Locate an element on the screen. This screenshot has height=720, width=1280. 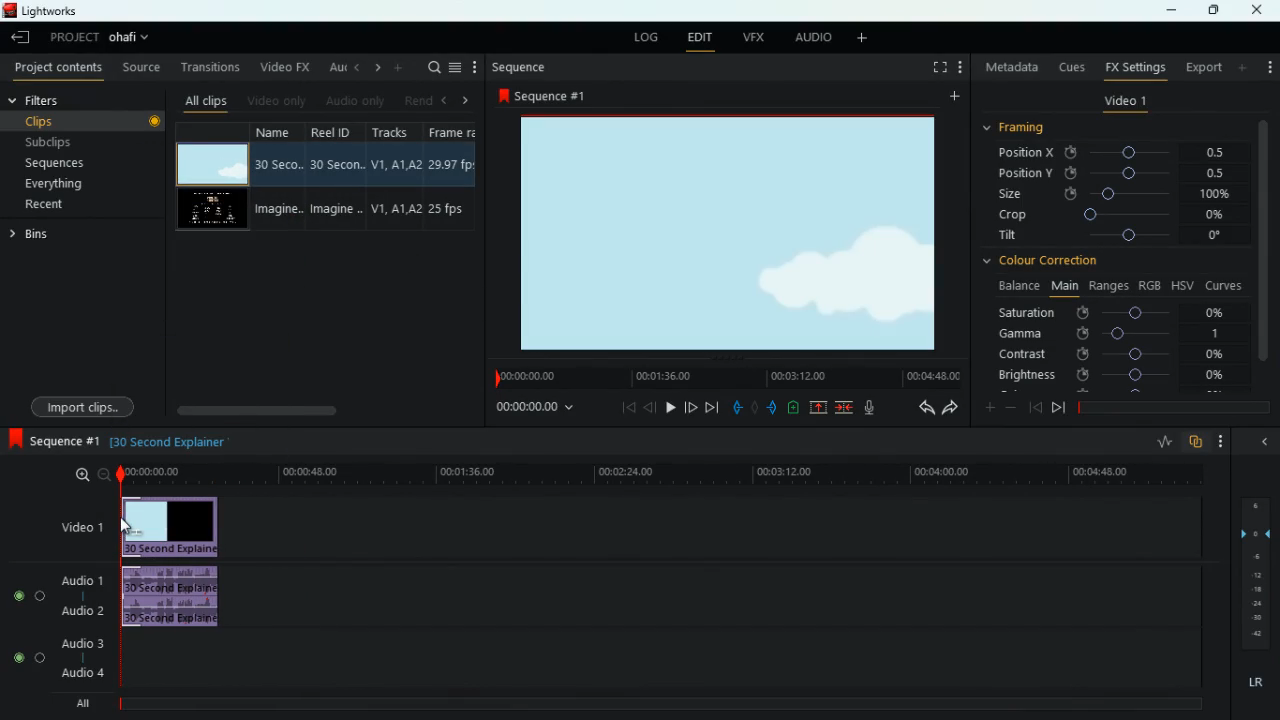
cursor is located at coordinates (127, 525).